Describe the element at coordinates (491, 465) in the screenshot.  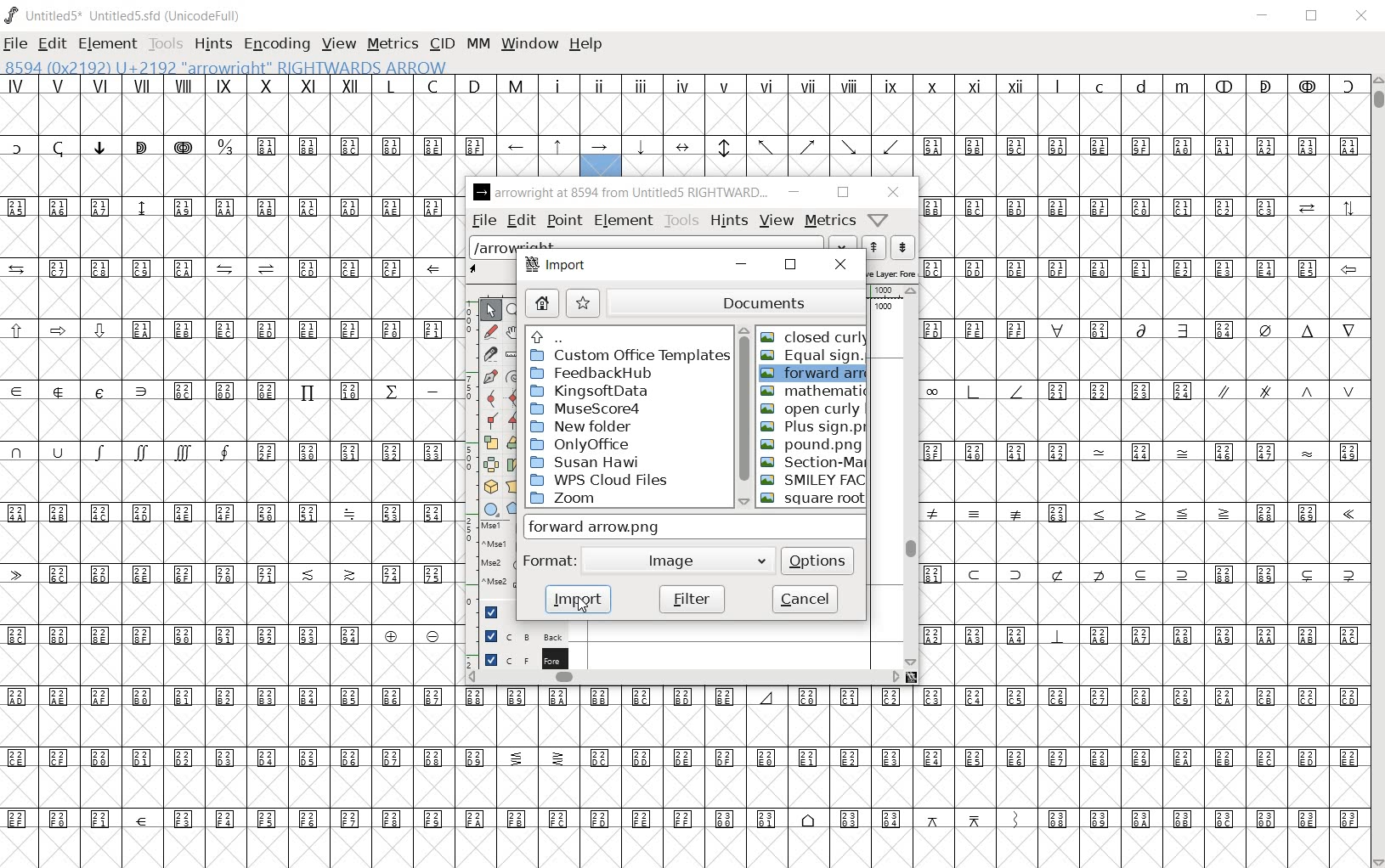
I see `flip the selection` at that location.